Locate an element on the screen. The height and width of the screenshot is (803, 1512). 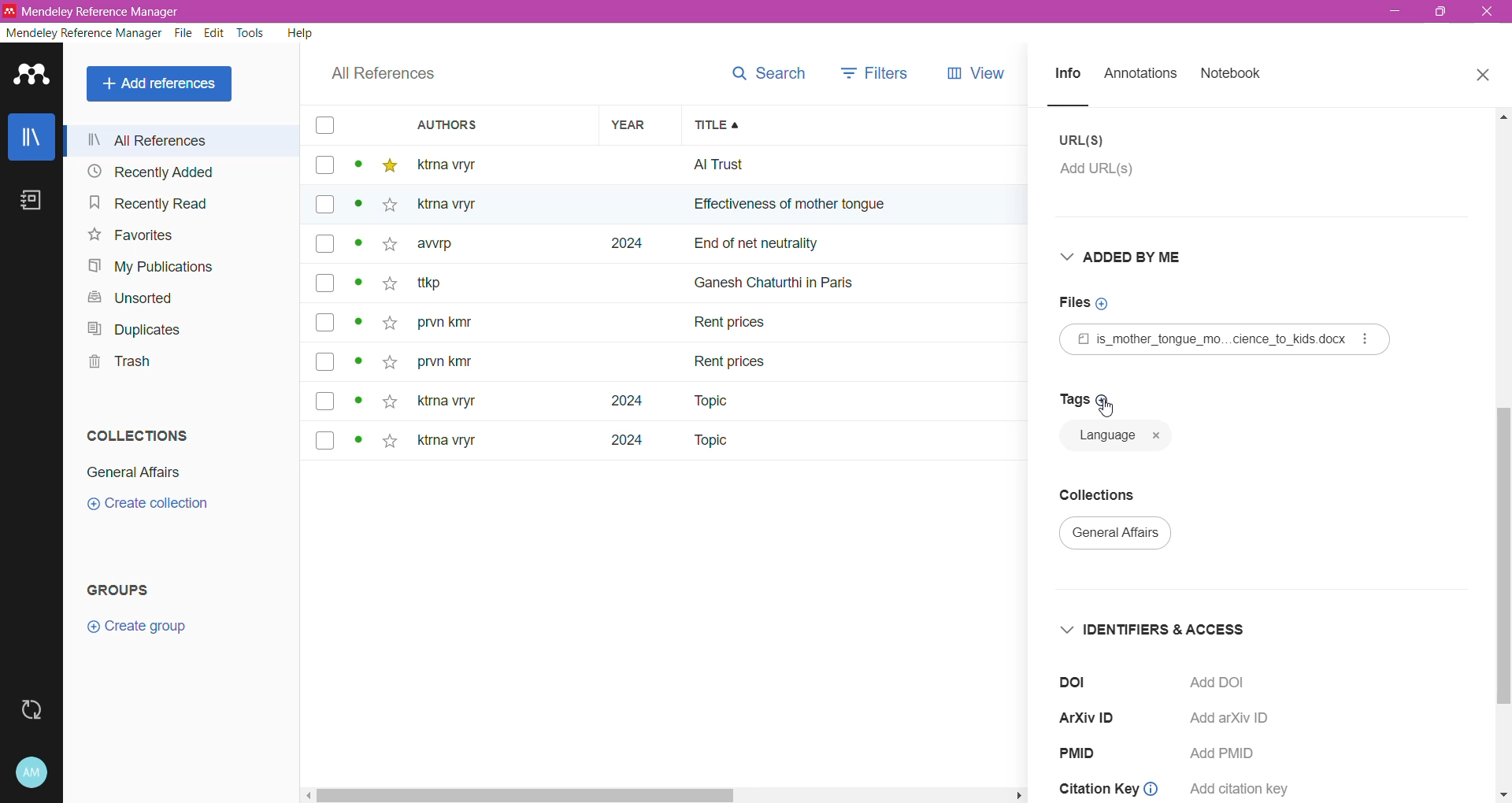
Info is located at coordinates (1066, 75).